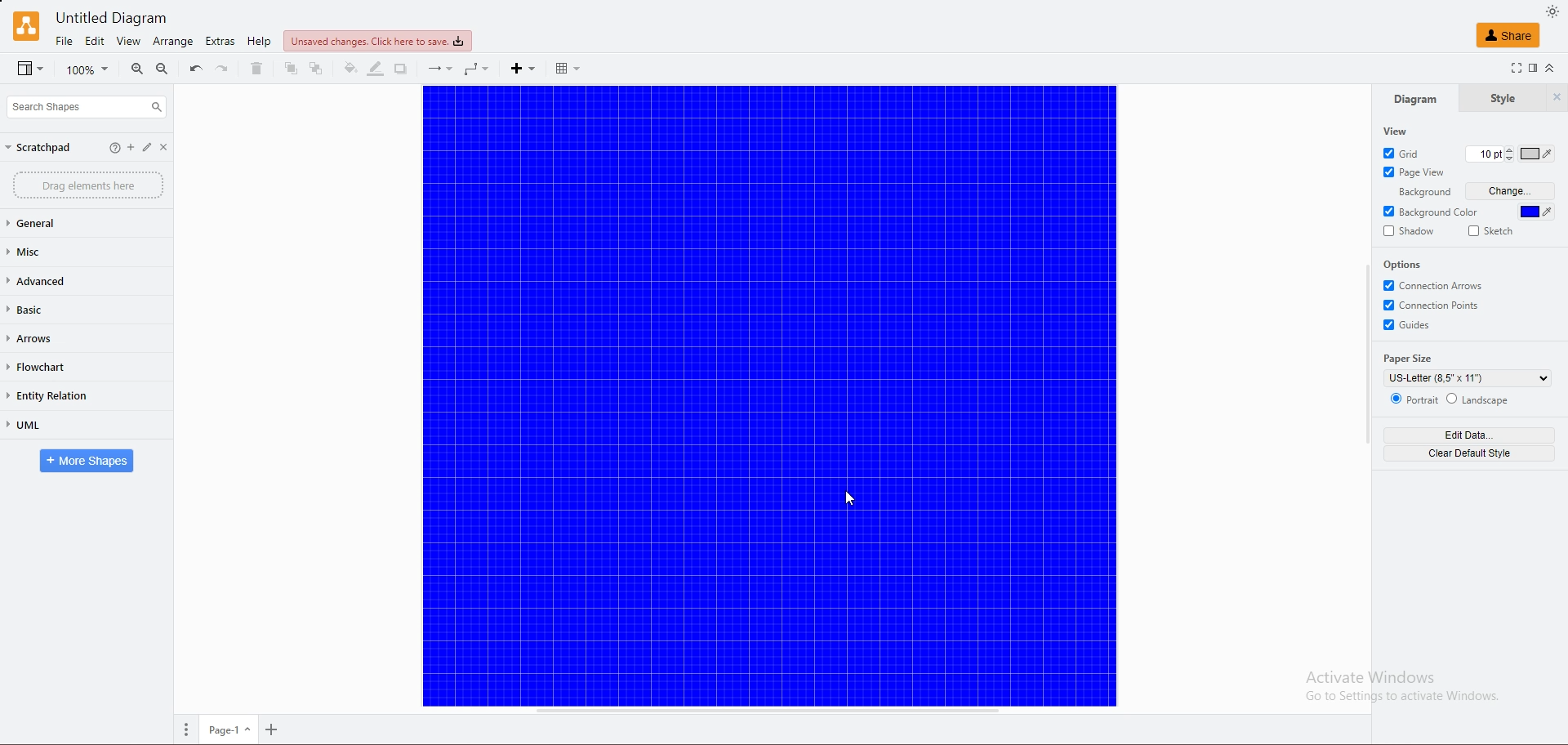 This screenshot has height=745, width=1568. What do you see at coordinates (1550, 68) in the screenshot?
I see `collapse` at bounding box center [1550, 68].